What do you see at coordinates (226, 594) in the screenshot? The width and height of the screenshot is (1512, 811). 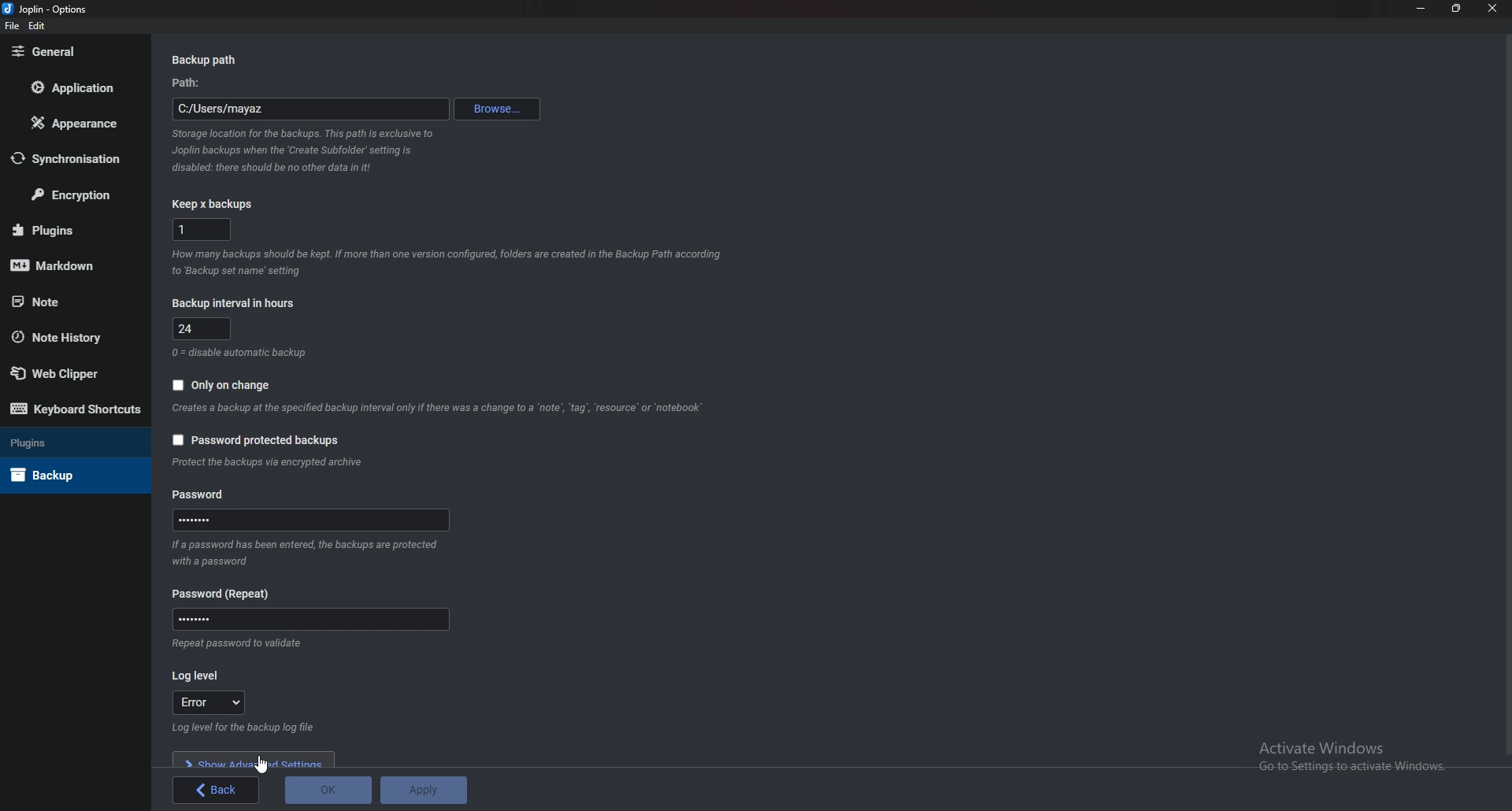 I see `password` at bounding box center [226, 594].